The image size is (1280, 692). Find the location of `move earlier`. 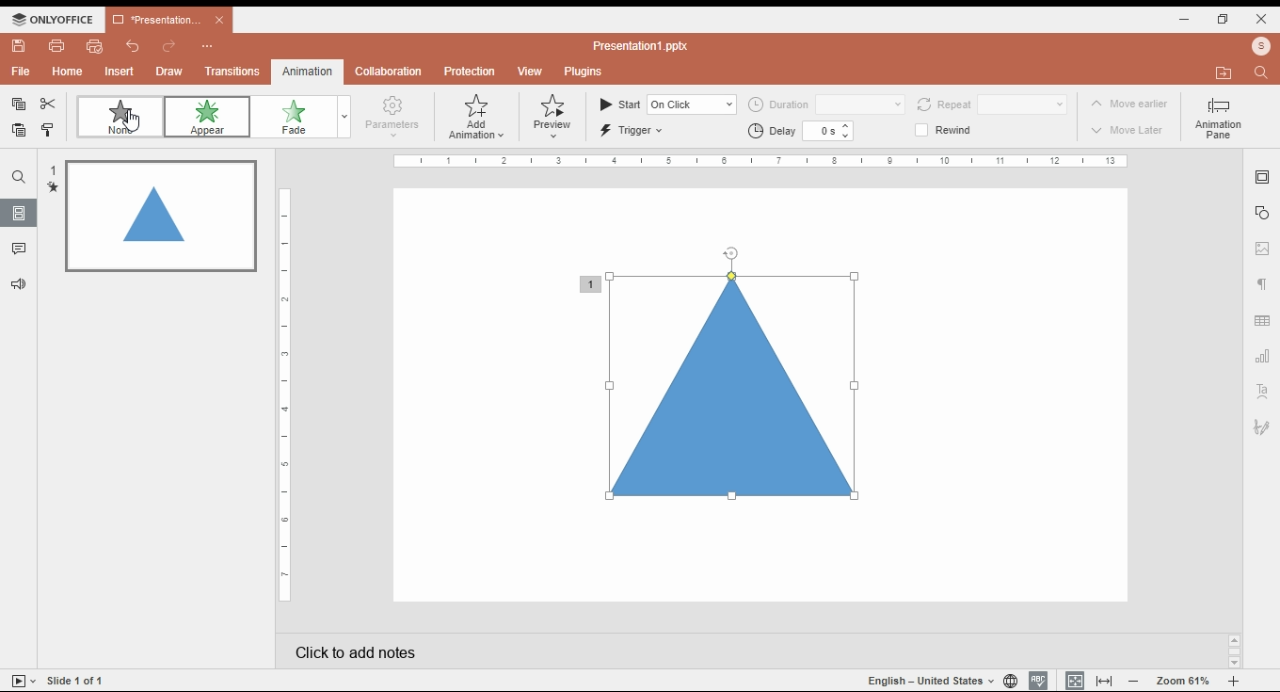

move earlier is located at coordinates (1129, 103).